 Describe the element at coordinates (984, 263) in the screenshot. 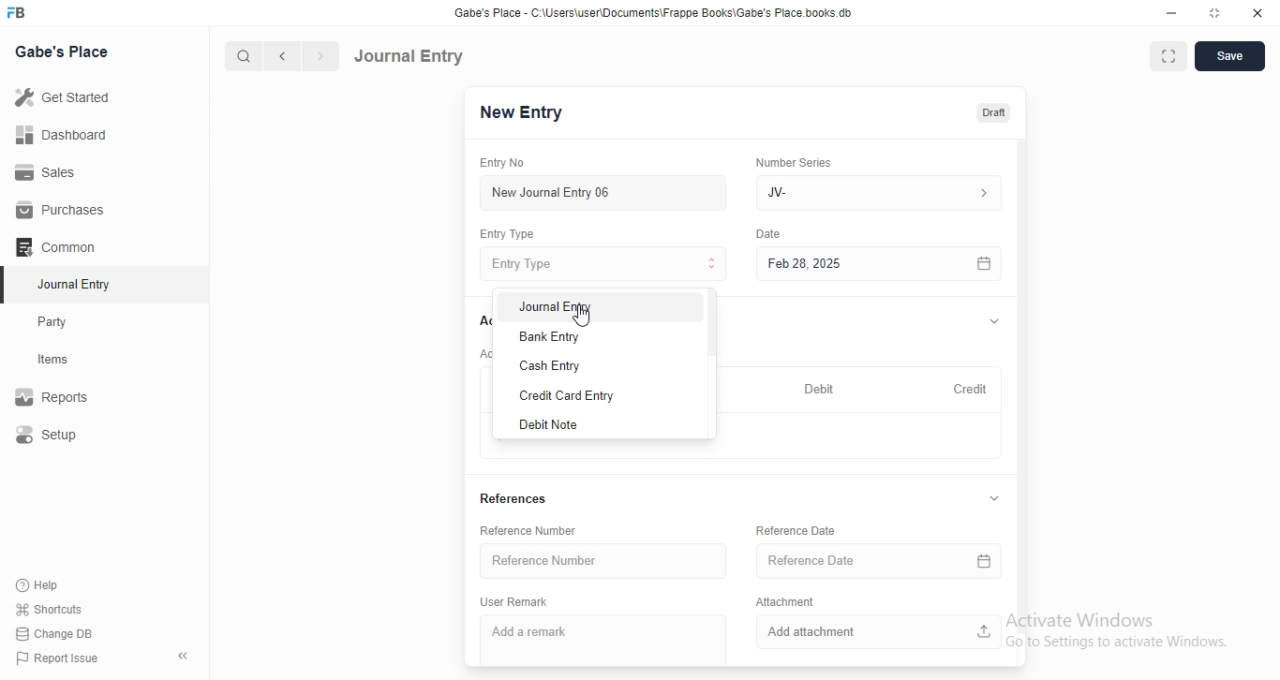

I see `calender` at that location.